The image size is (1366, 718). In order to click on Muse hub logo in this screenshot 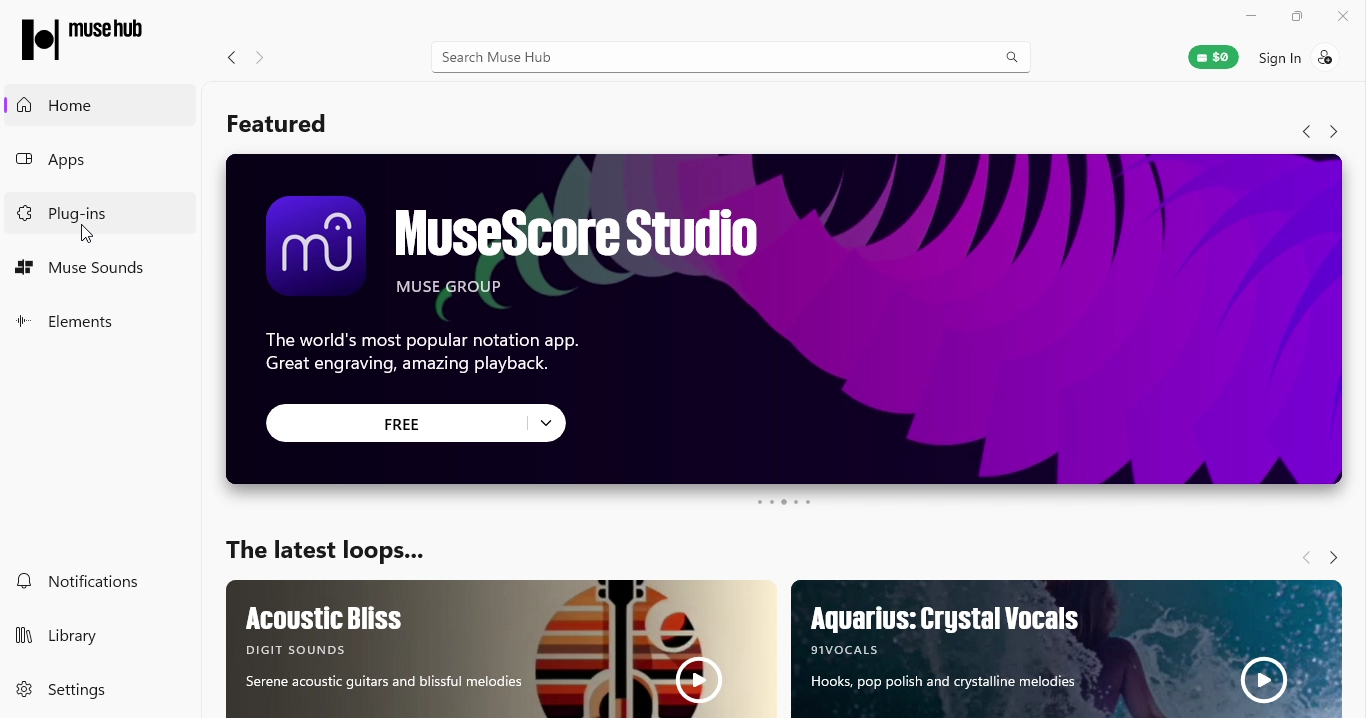, I will do `click(80, 39)`.